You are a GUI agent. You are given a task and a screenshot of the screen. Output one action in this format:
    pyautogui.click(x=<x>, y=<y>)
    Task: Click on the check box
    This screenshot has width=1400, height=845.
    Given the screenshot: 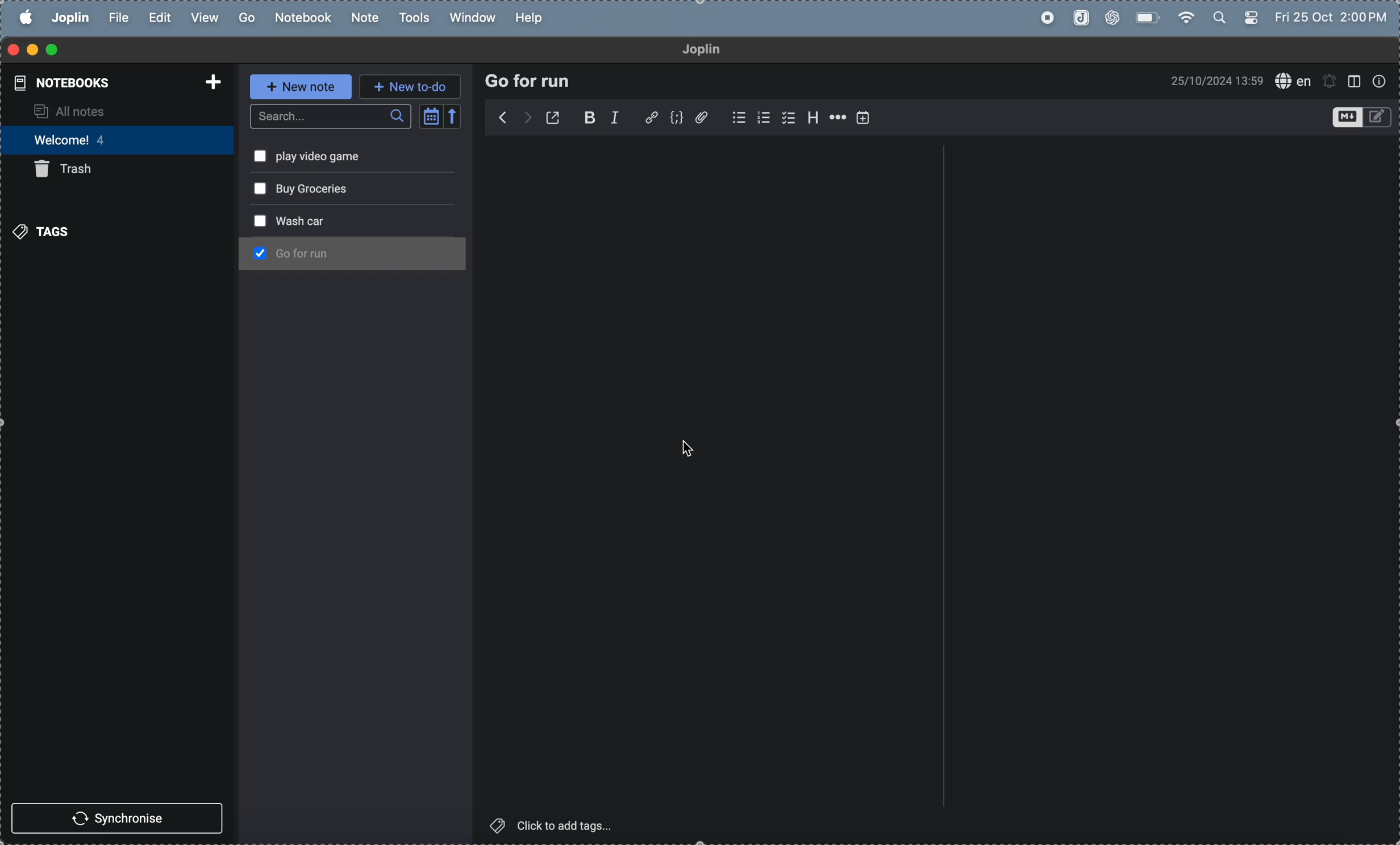 What is the action you would take?
    pyautogui.click(x=256, y=155)
    